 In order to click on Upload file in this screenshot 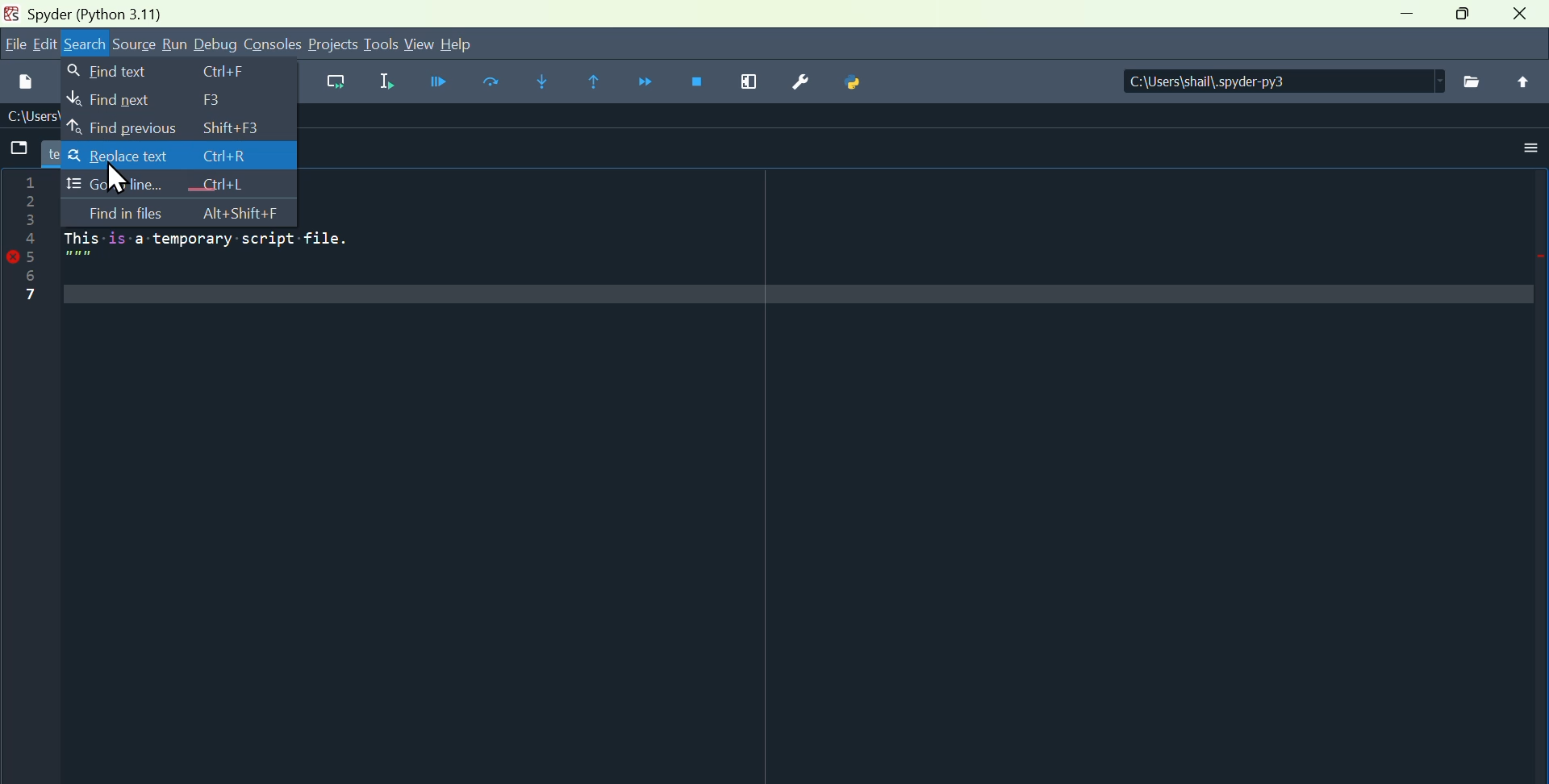, I will do `click(1521, 83)`.